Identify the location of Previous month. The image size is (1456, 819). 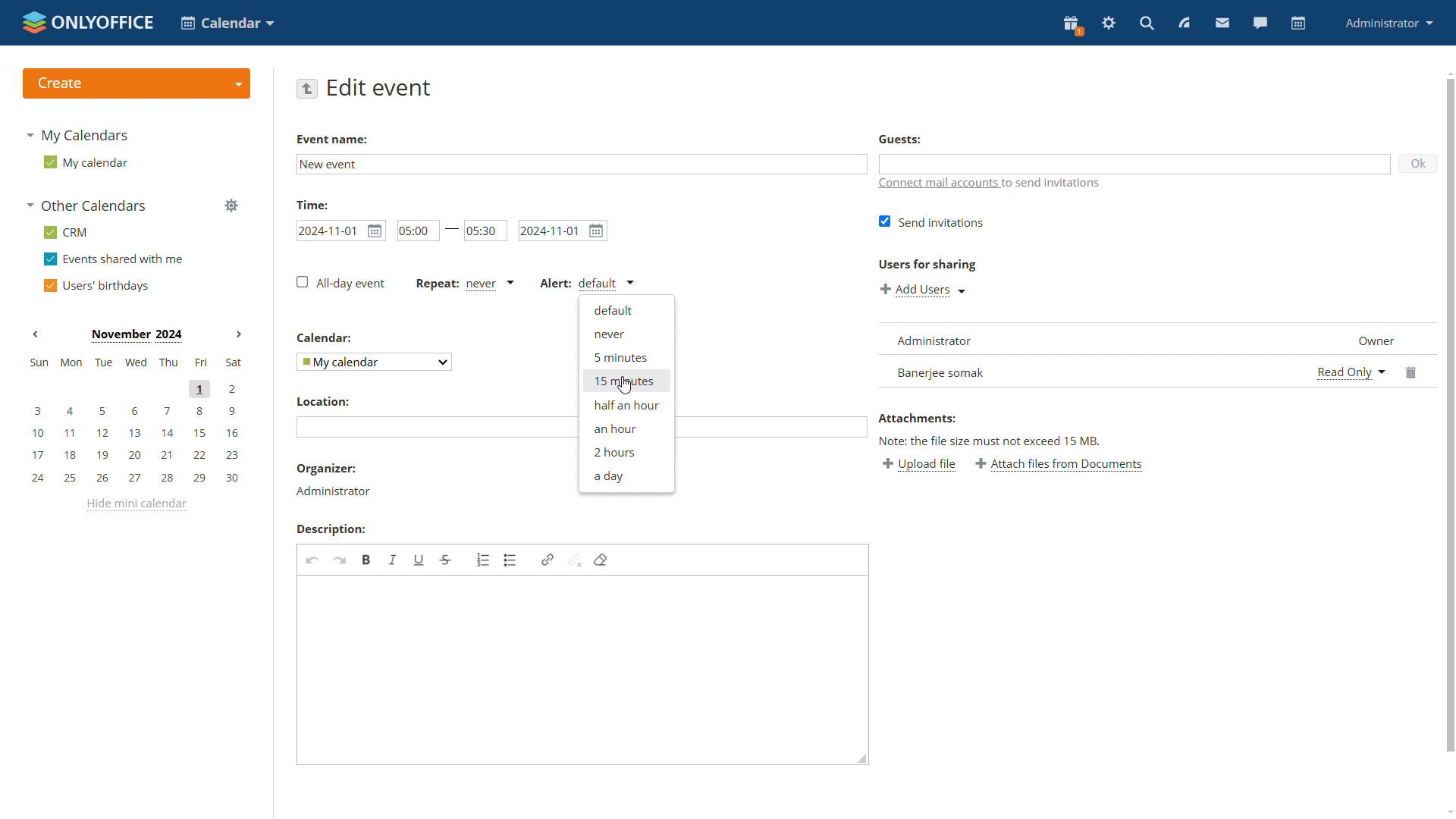
(36, 334).